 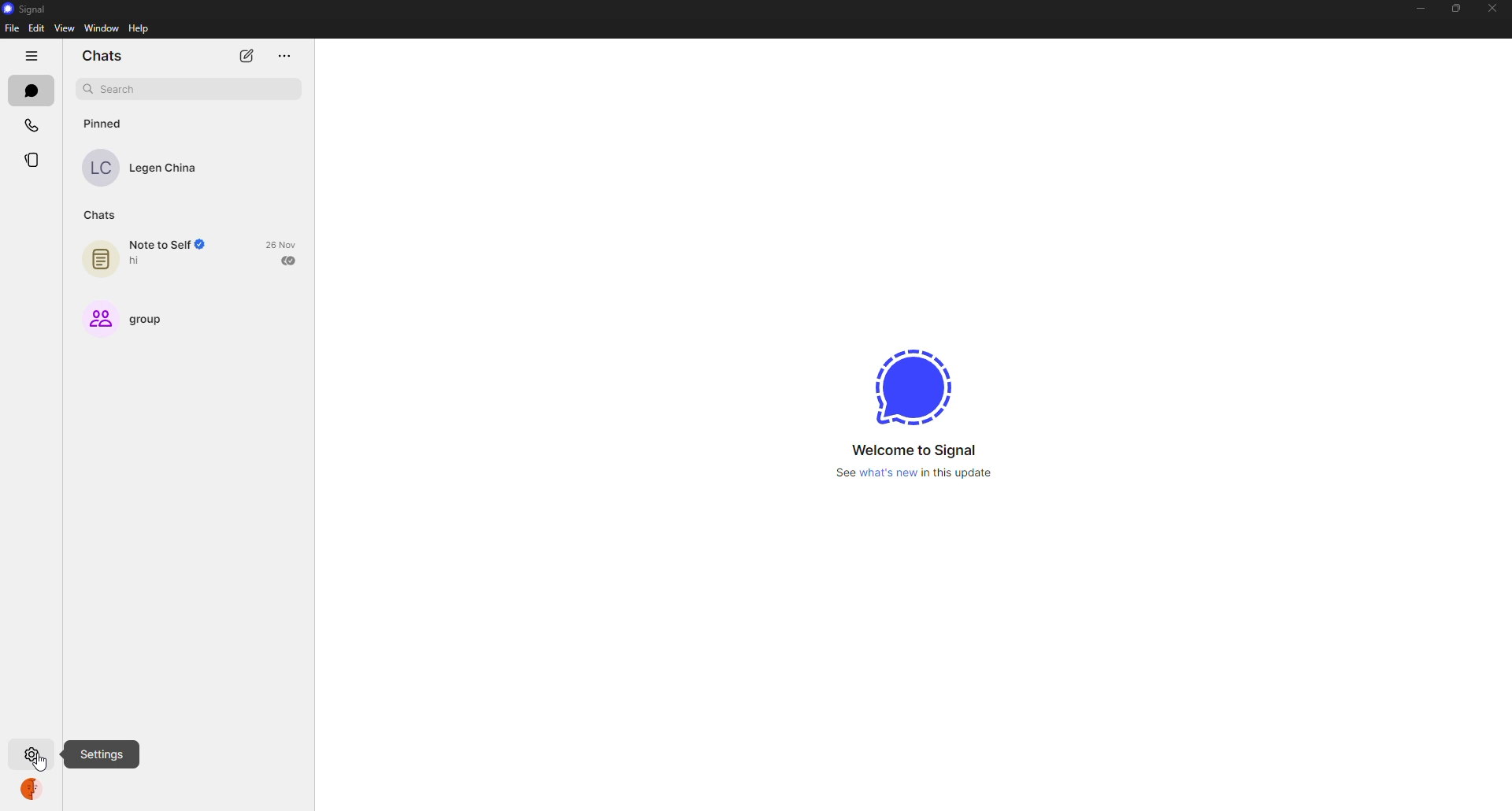 What do you see at coordinates (30, 10) in the screenshot?
I see `signal` at bounding box center [30, 10].